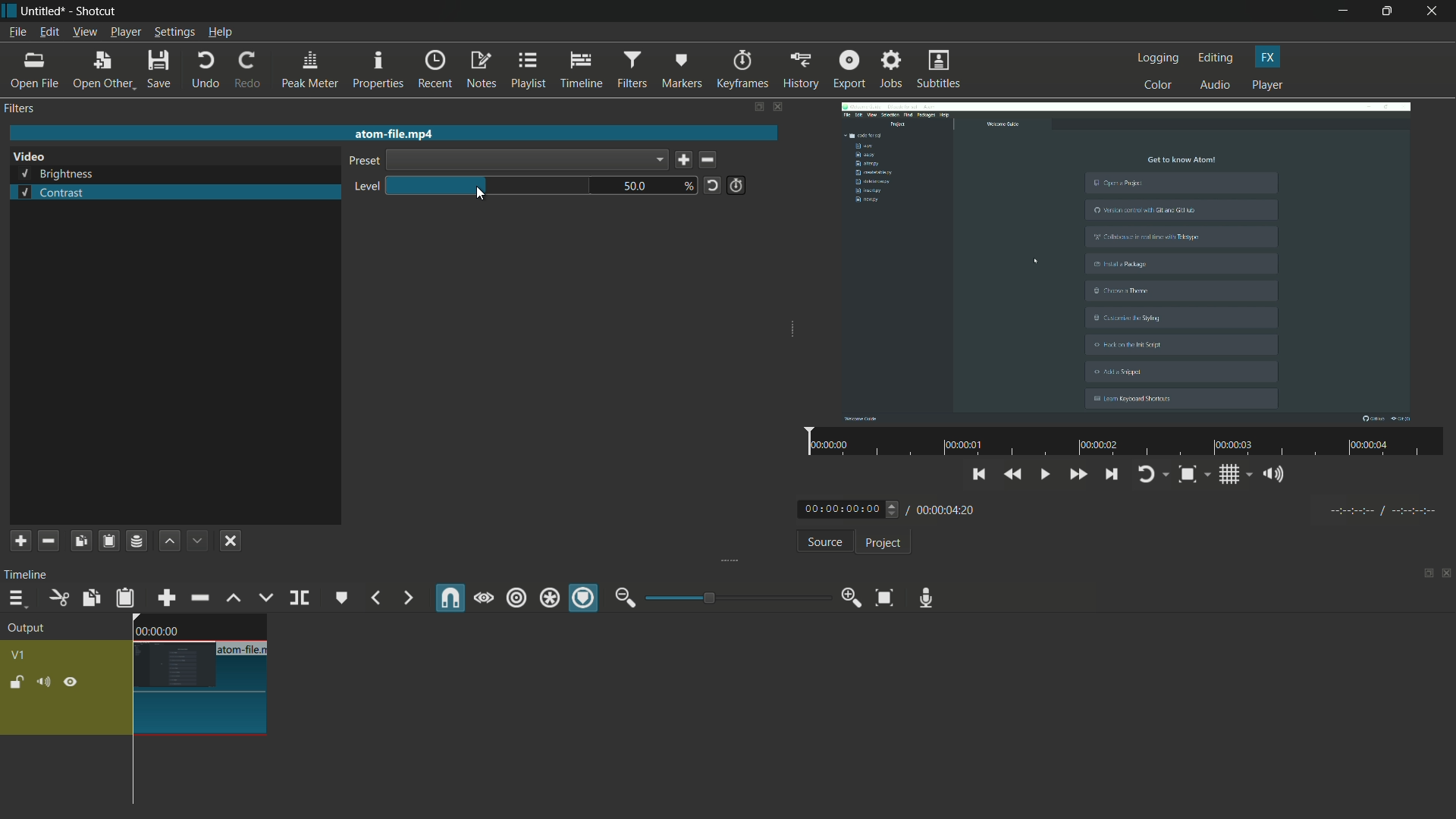 Image resolution: width=1456 pixels, height=819 pixels. Describe the element at coordinates (631, 70) in the screenshot. I see `filters` at that location.